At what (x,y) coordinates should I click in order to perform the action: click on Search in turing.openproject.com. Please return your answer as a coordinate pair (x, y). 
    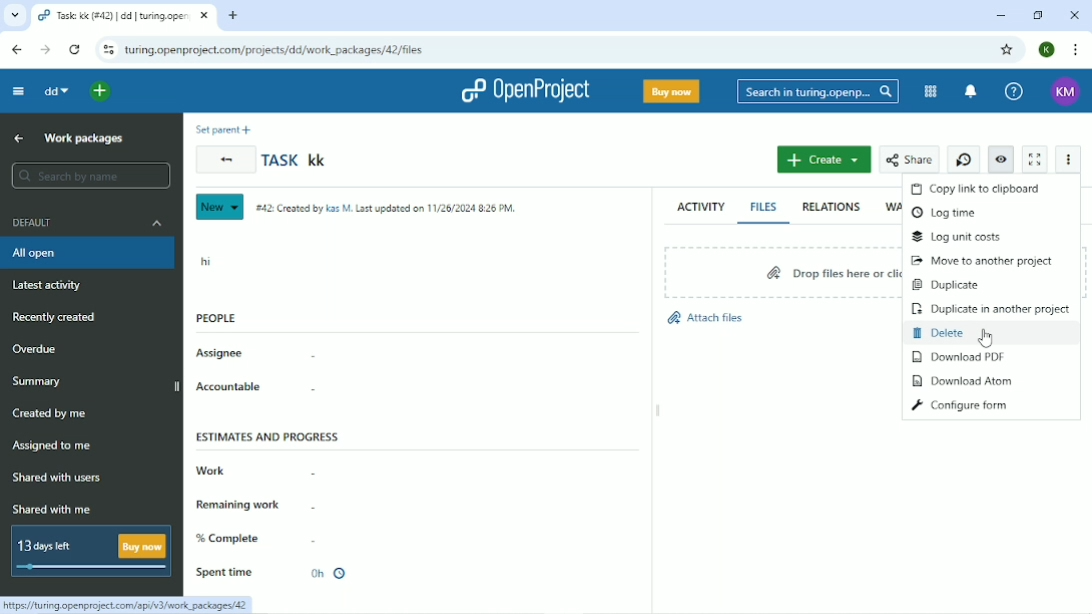
    Looking at the image, I should click on (819, 91).